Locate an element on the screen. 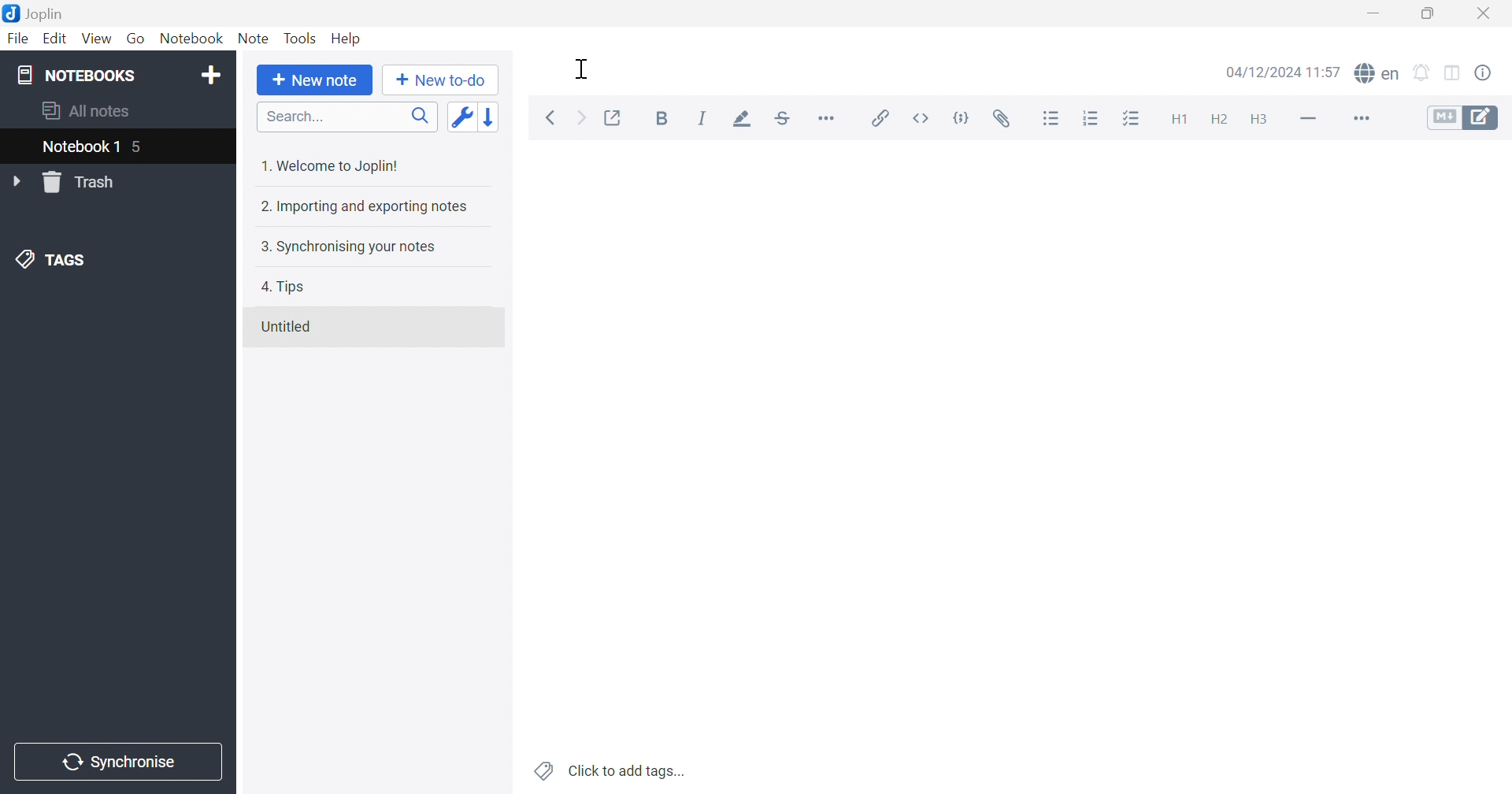 Image resolution: width=1512 pixels, height=794 pixels. Attach file is located at coordinates (1006, 121).